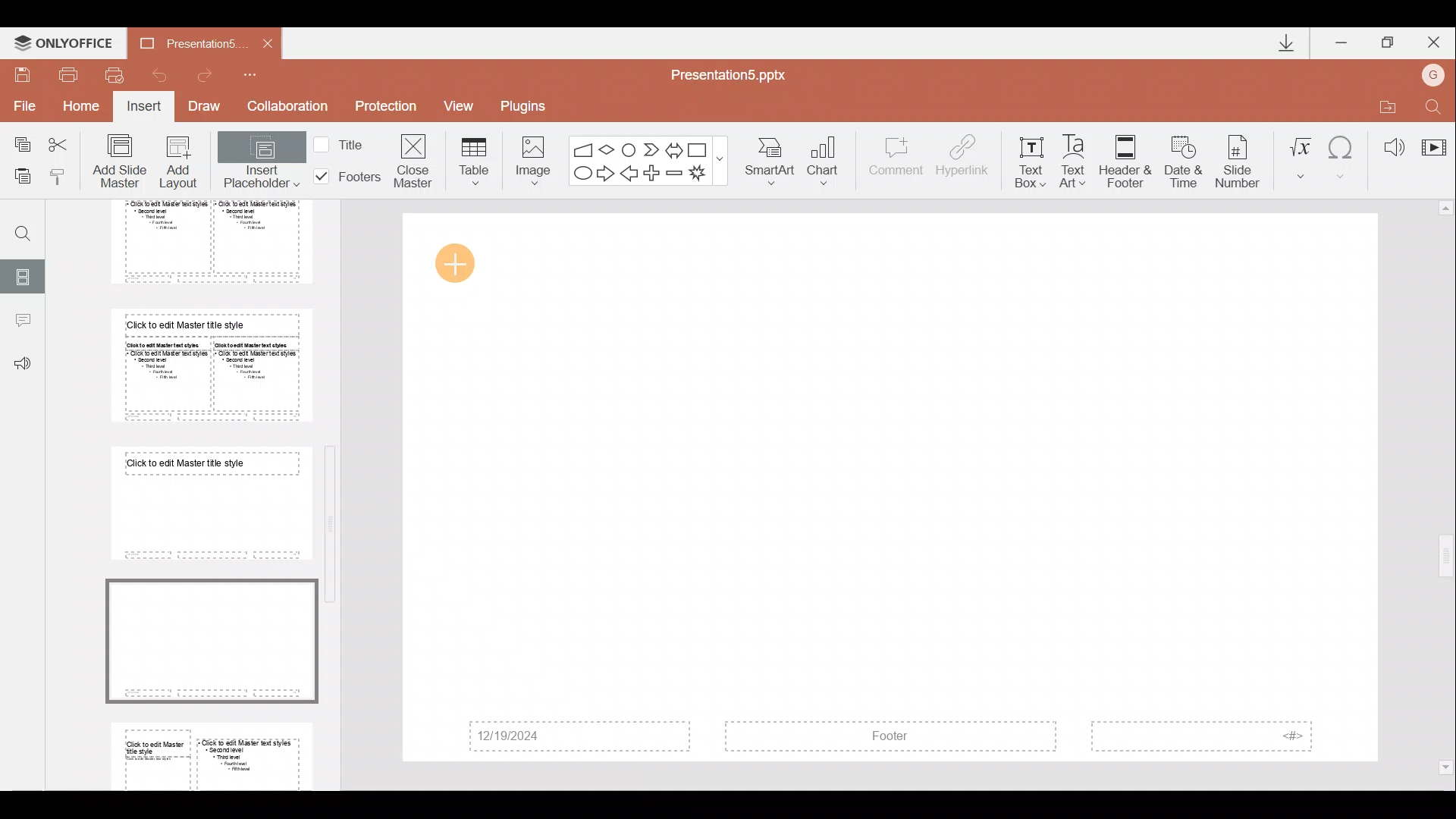  I want to click on Add slide master, so click(123, 162).